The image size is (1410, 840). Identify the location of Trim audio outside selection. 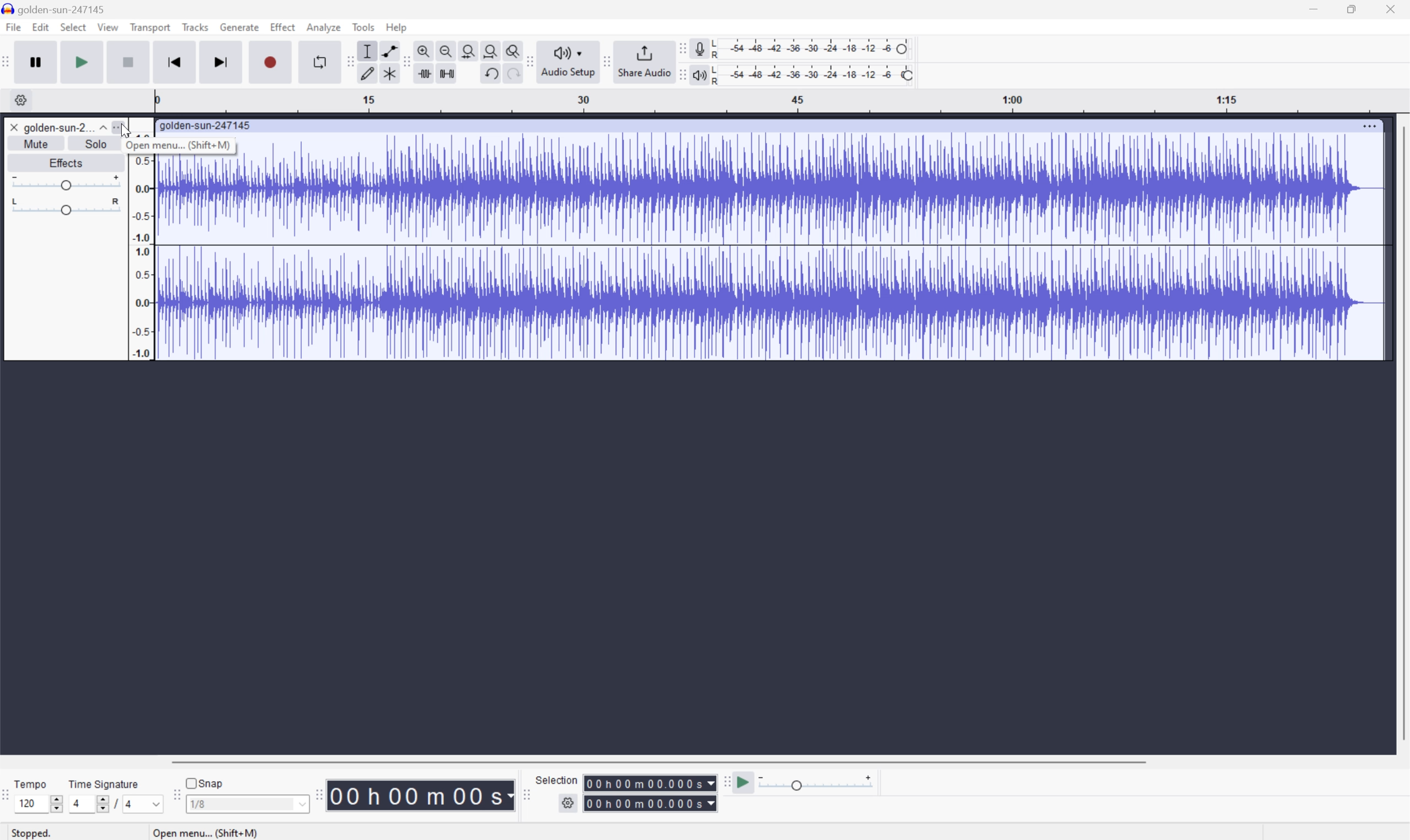
(424, 74).